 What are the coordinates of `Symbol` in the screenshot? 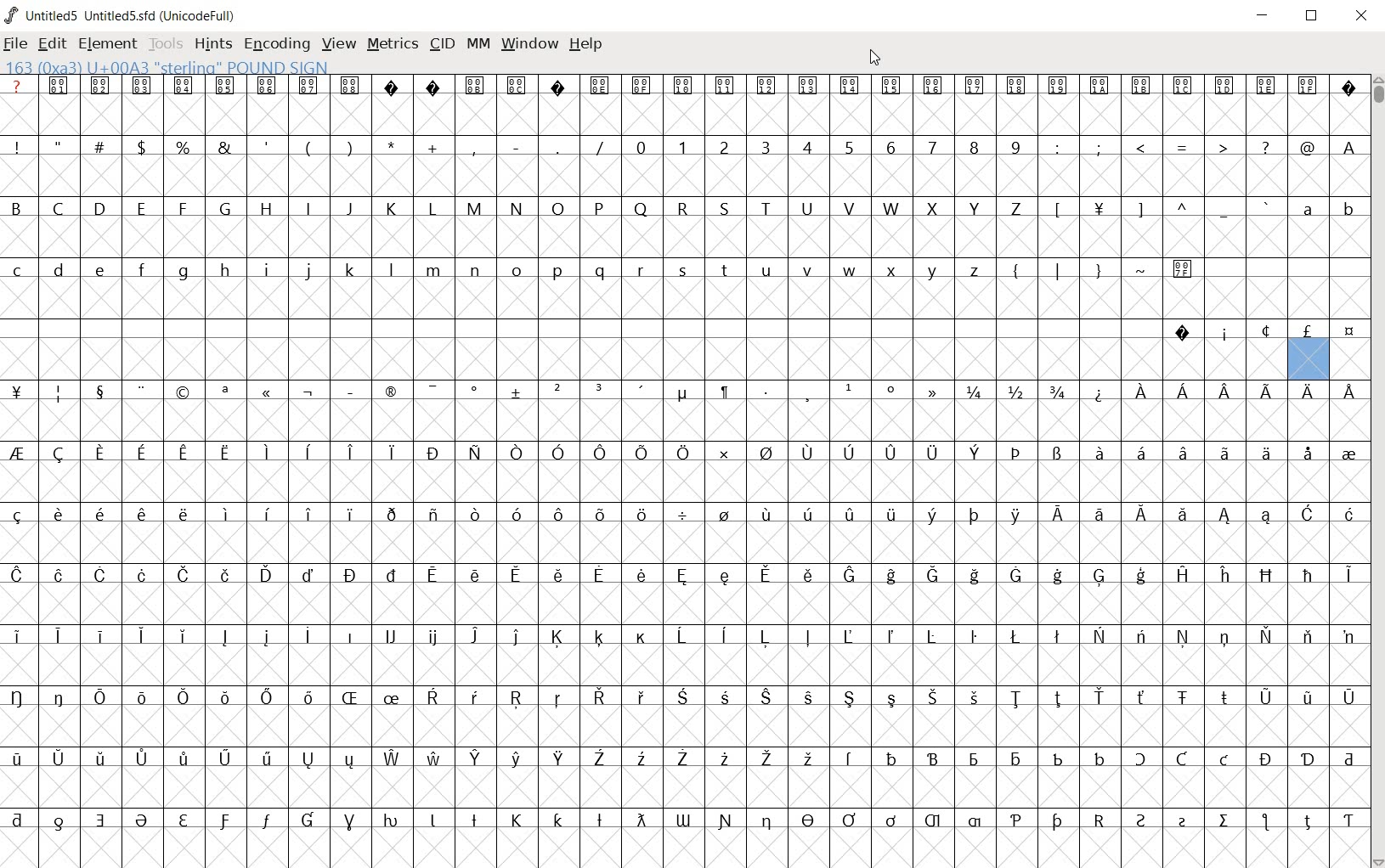 It's located at (1309, 87).